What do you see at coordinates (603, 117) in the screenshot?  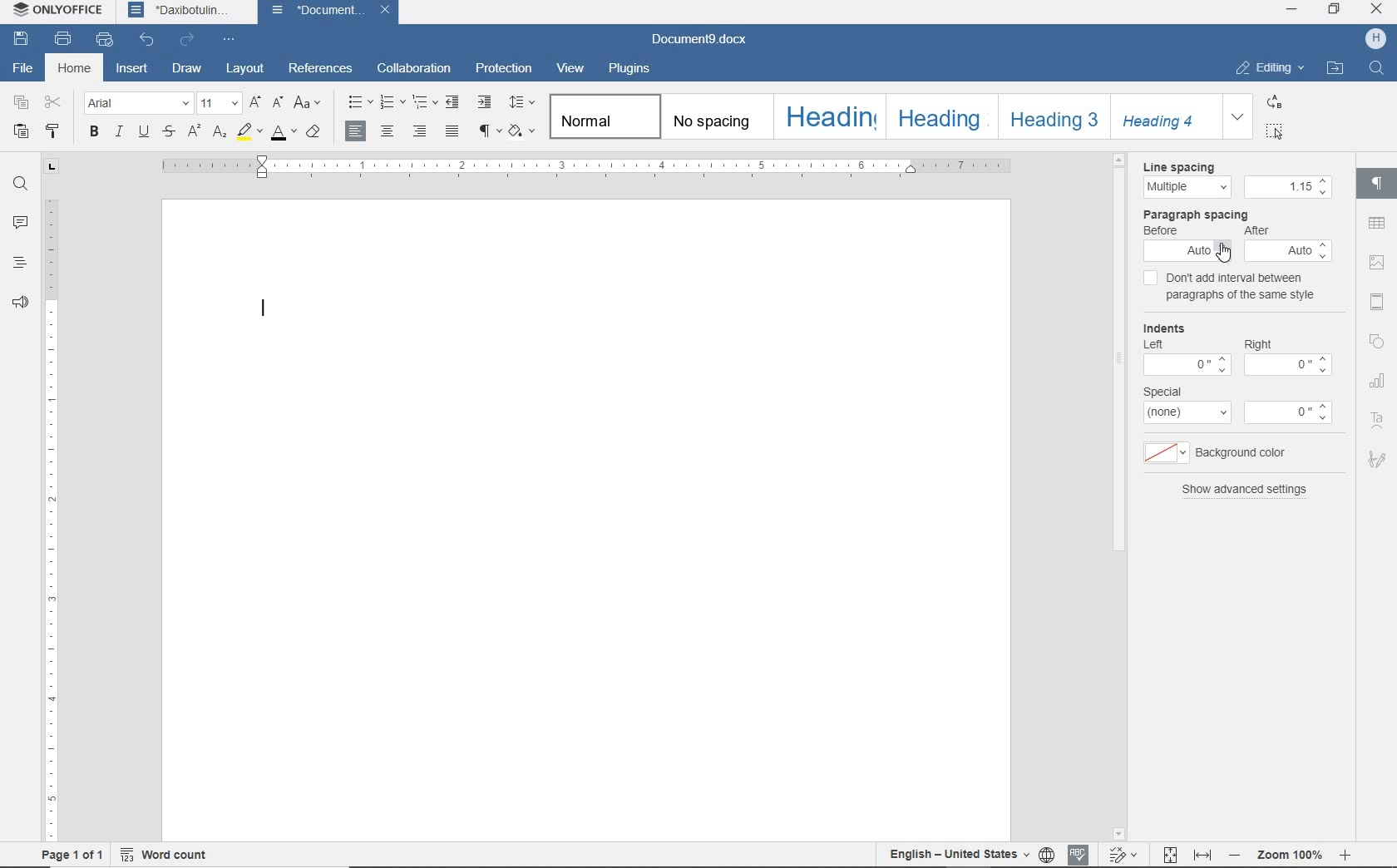 I see `Normal` at bounding box center [603, 117].